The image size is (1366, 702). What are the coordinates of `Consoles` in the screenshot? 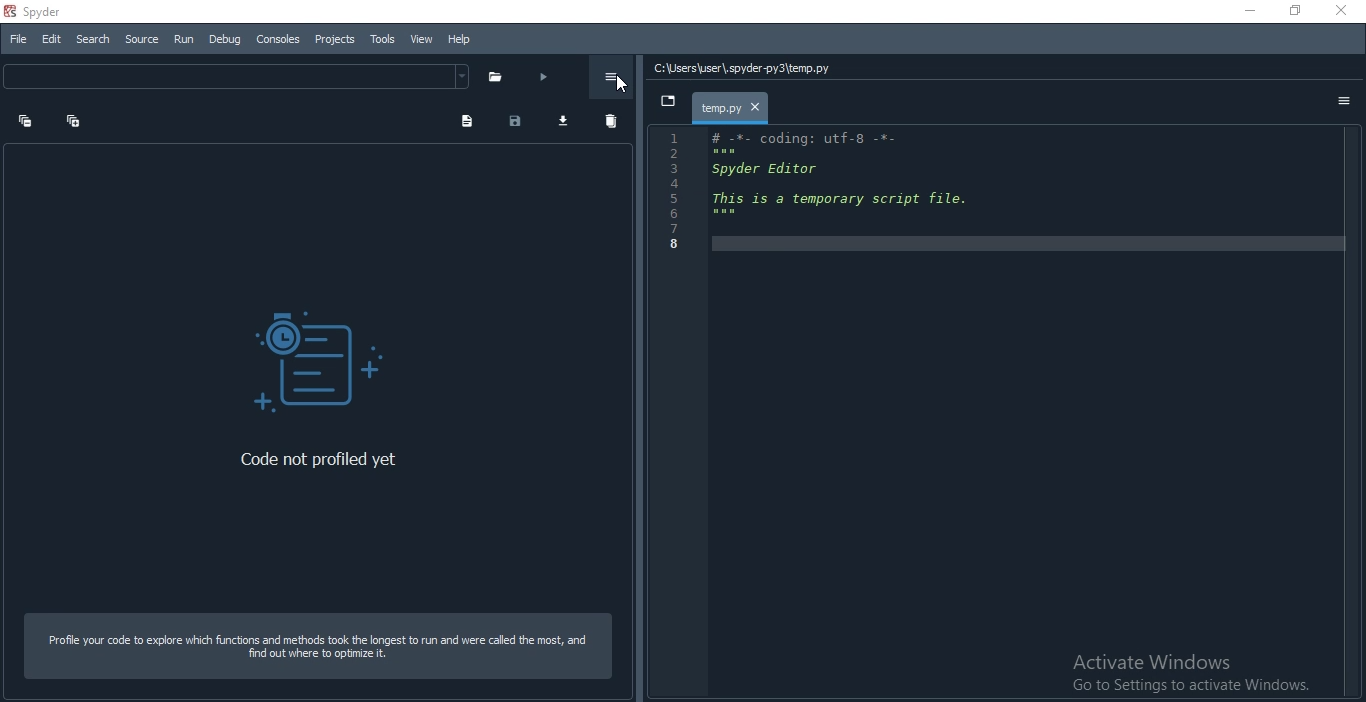 It's located at (277, 40).